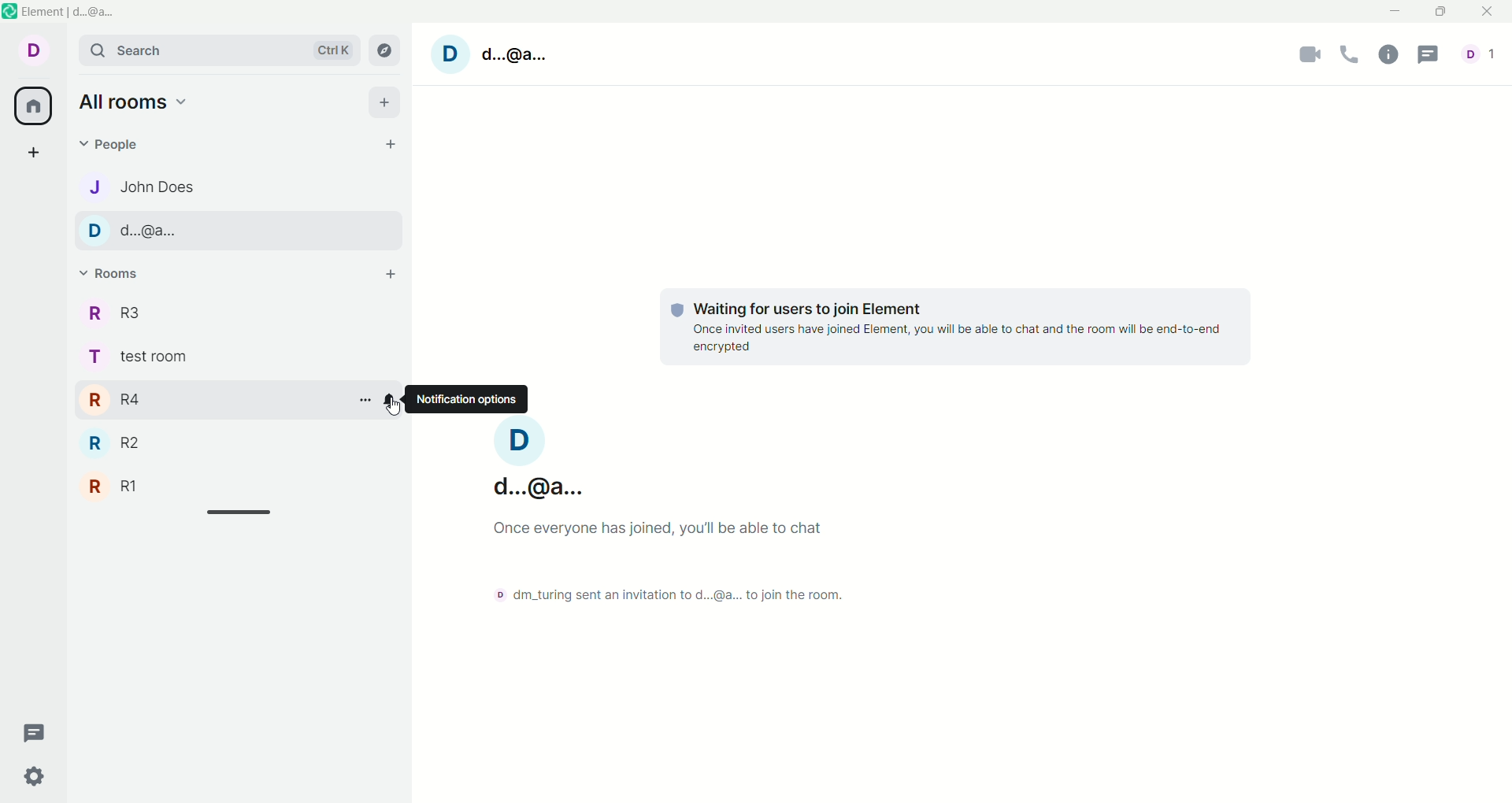  What do you see at coordinates (384, 102) in the screenshot?
I see `add` at bounding box center [384, 102].